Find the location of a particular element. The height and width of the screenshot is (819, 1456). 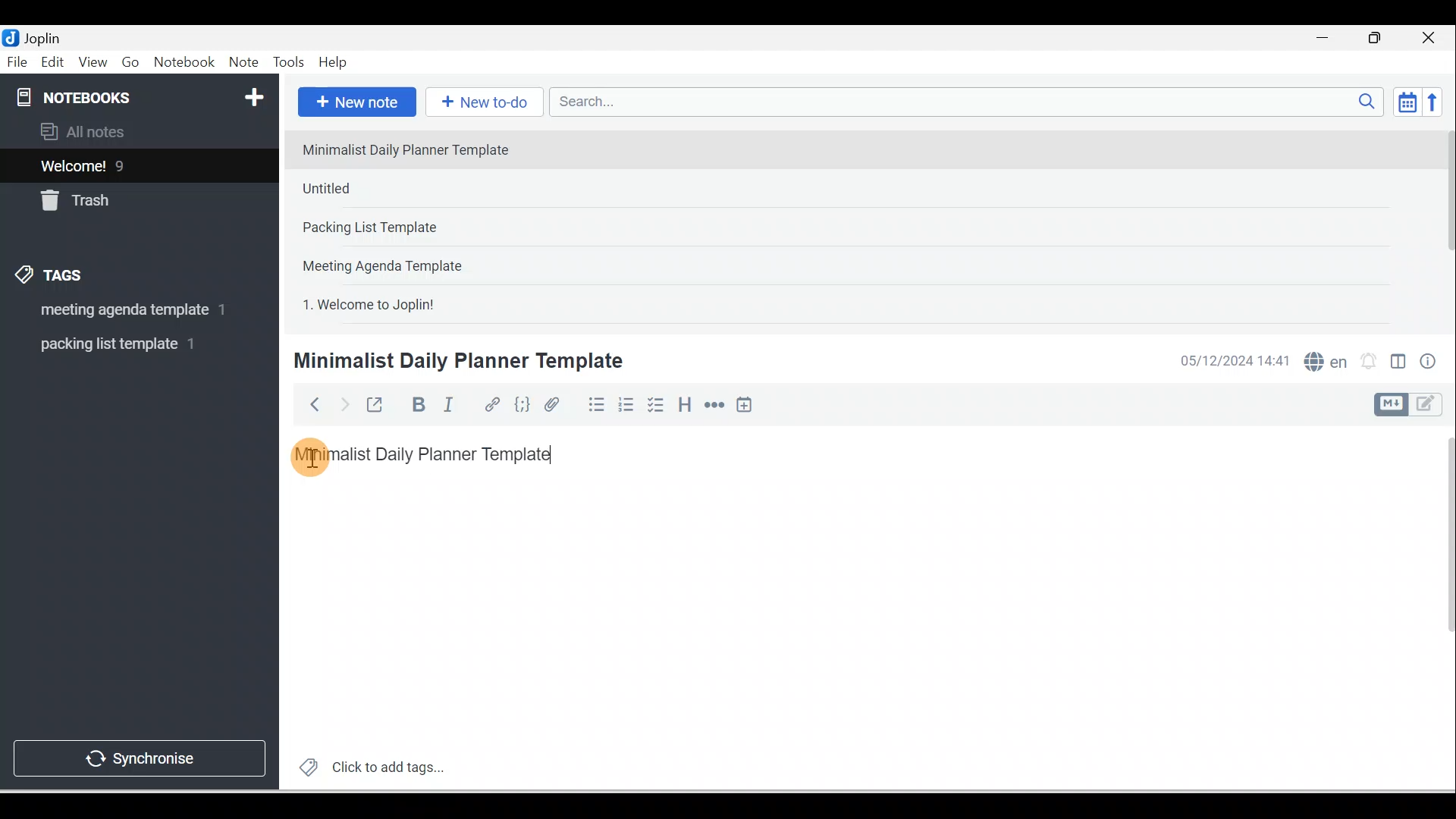

Help is located at coordinates (334, 63).